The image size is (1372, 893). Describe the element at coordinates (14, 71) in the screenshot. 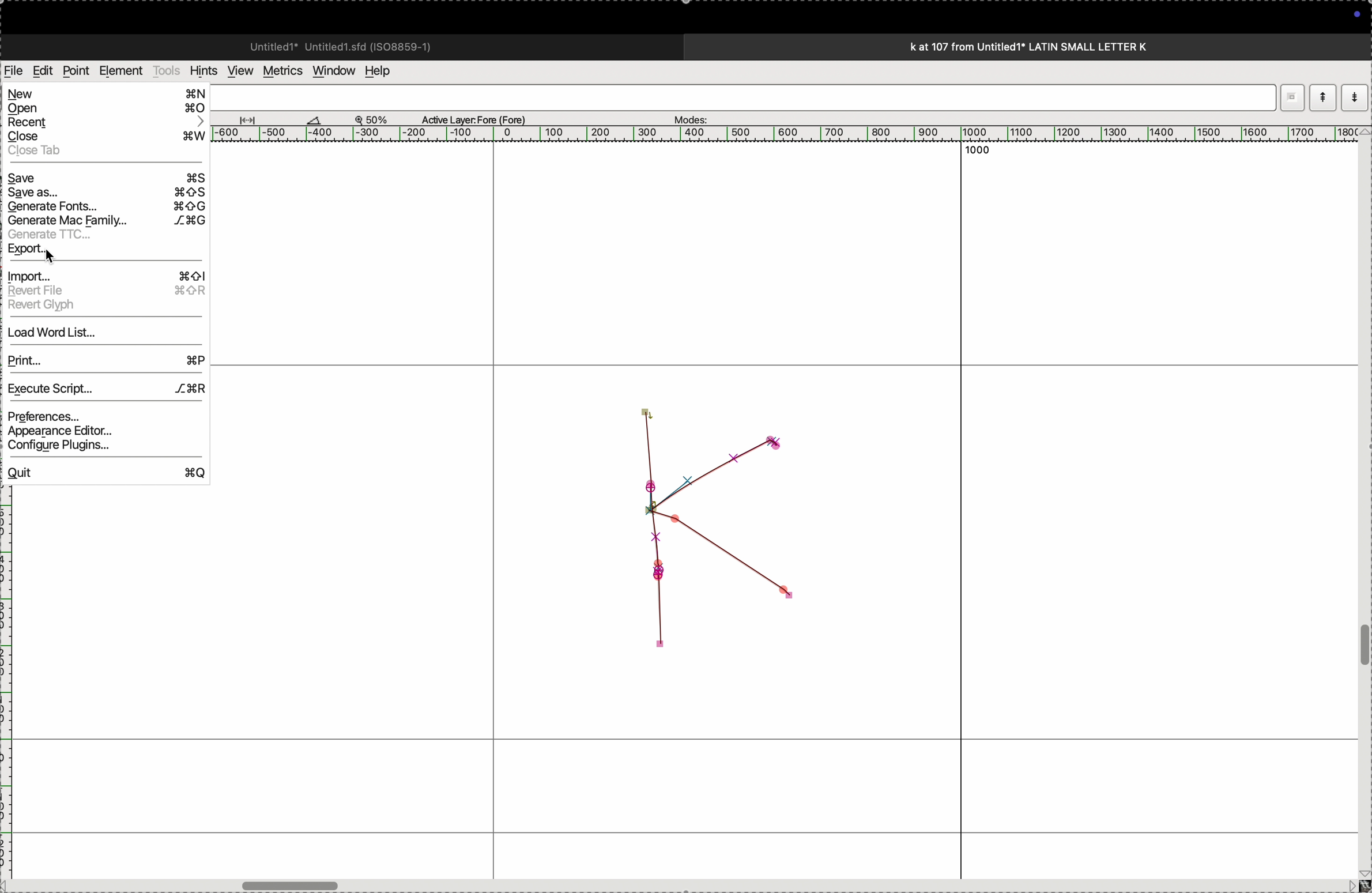

I see `file` at that location.